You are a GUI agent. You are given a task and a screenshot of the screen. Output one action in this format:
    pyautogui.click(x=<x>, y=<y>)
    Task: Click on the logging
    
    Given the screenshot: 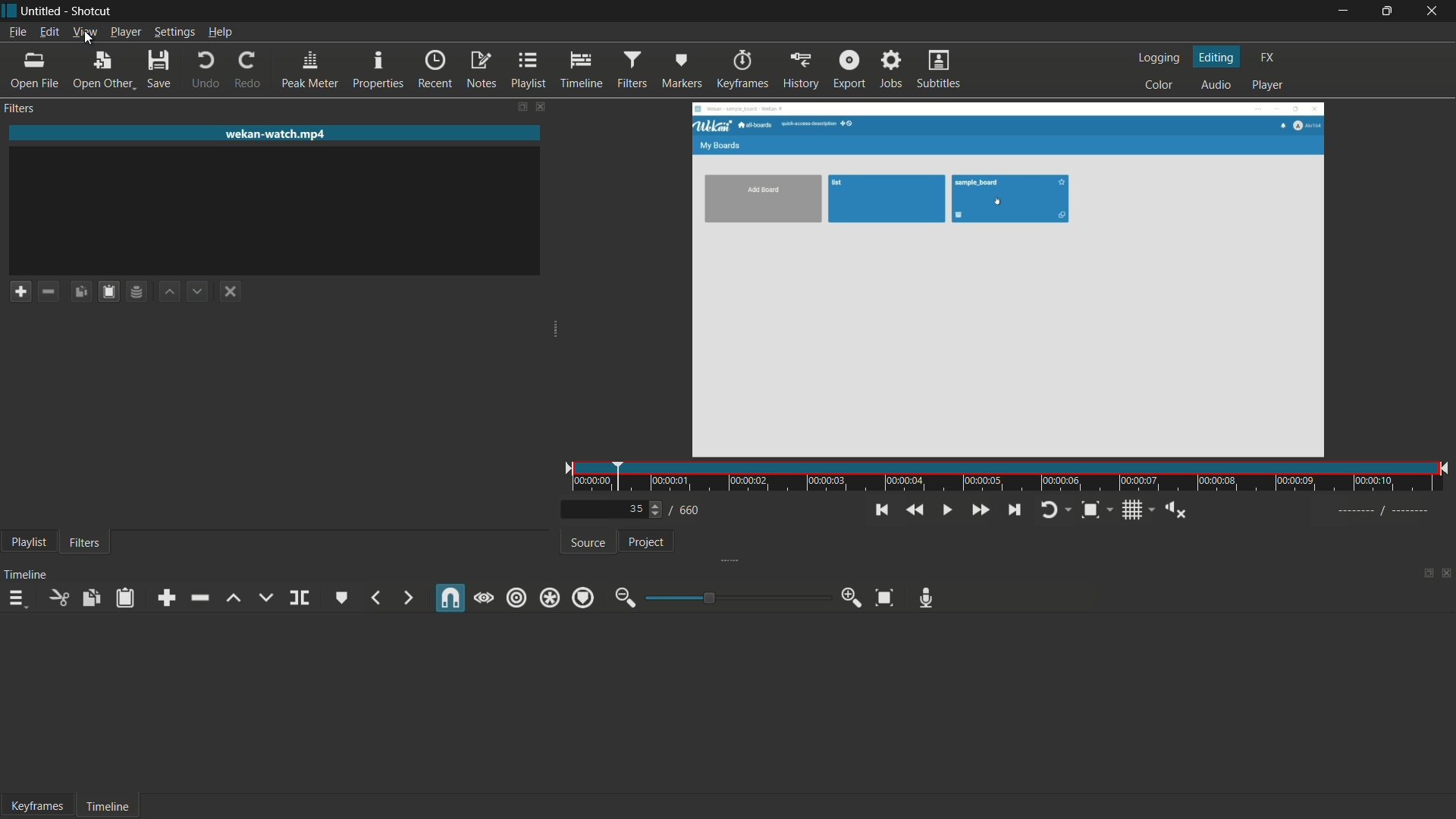 What is the action you would take?
    pyautogui.click(x=1159, y=59)
    